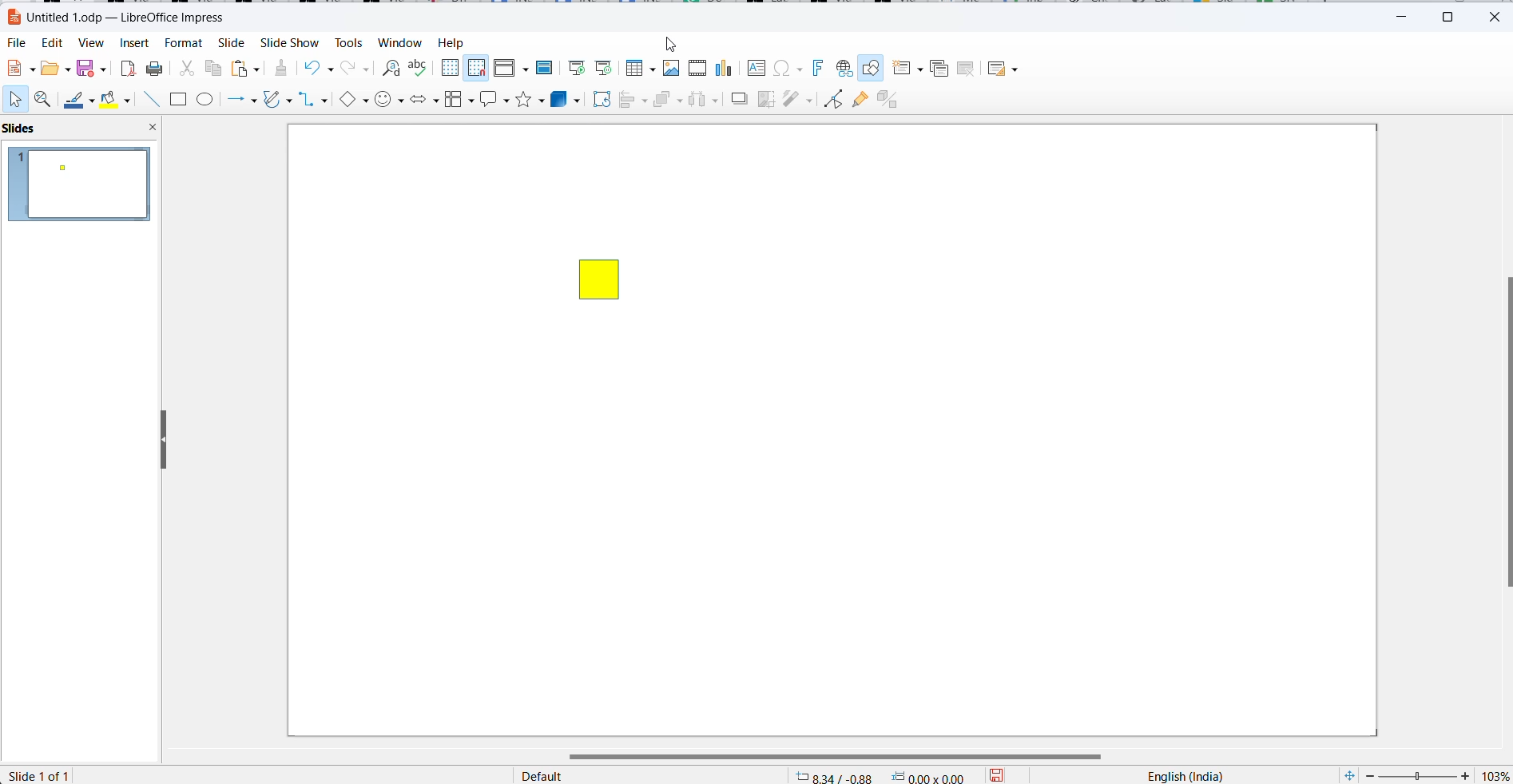  I want to click on find and replace, so click(389, 66).